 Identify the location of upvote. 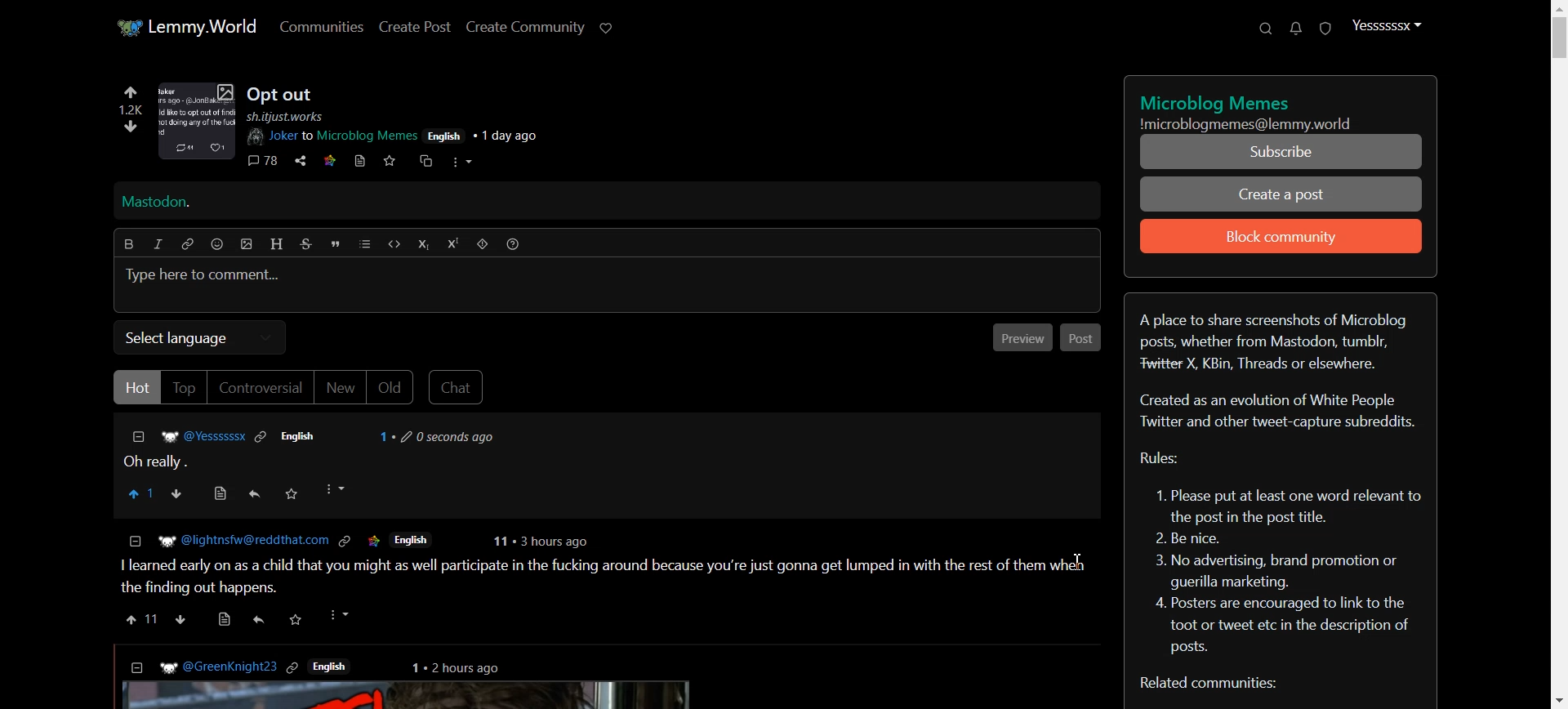
(130, 94).